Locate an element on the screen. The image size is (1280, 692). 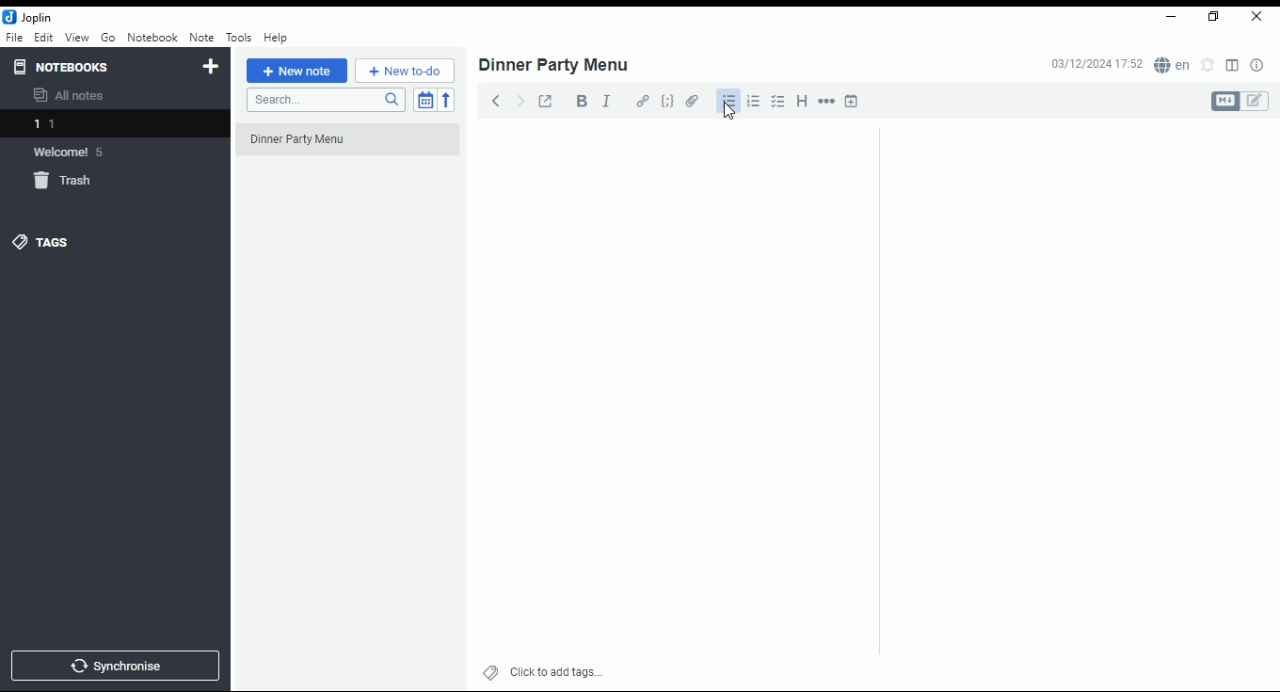
notebooks is located at coordinates (66, 66).